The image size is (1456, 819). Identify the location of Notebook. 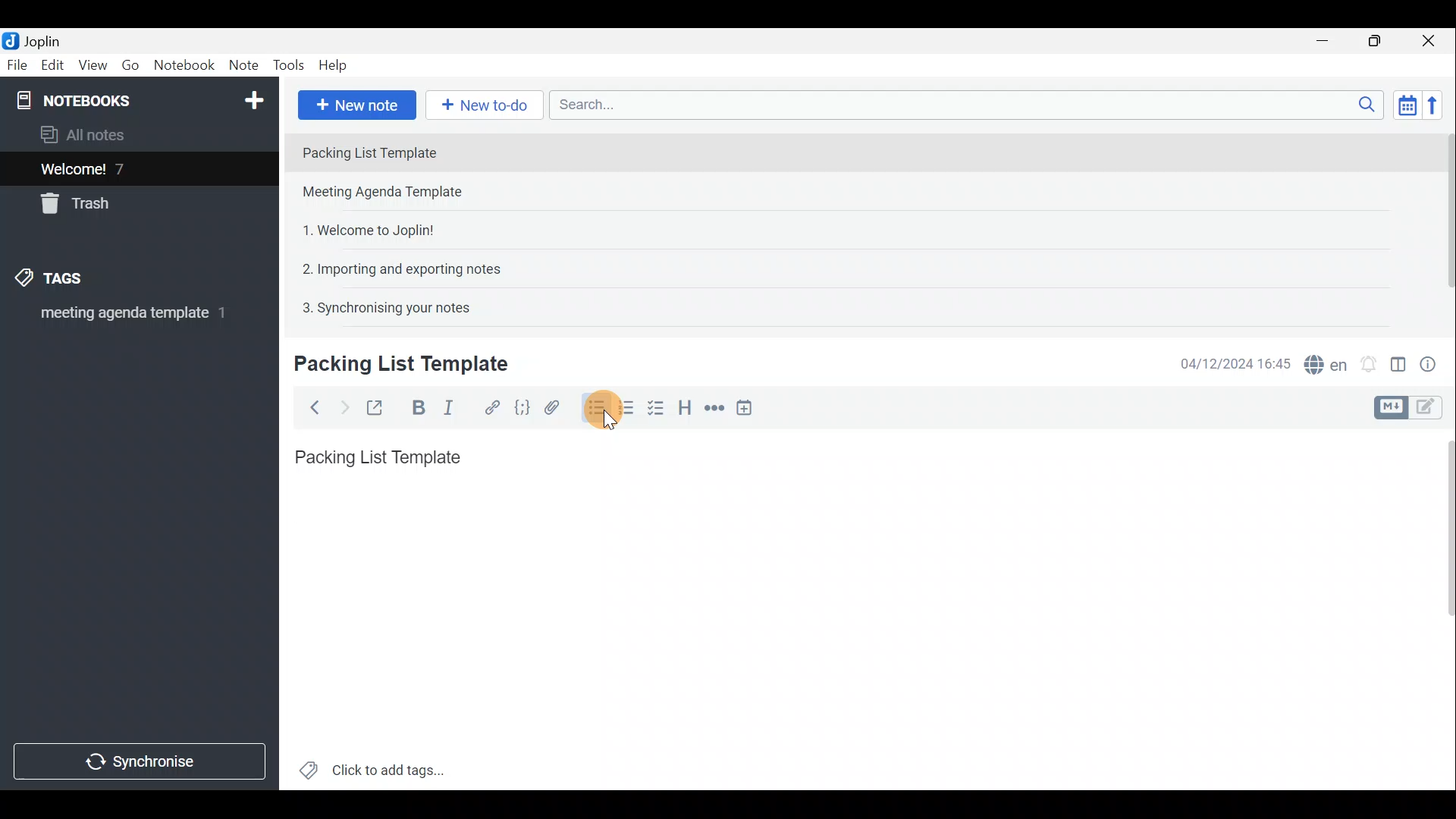
(184, 67).